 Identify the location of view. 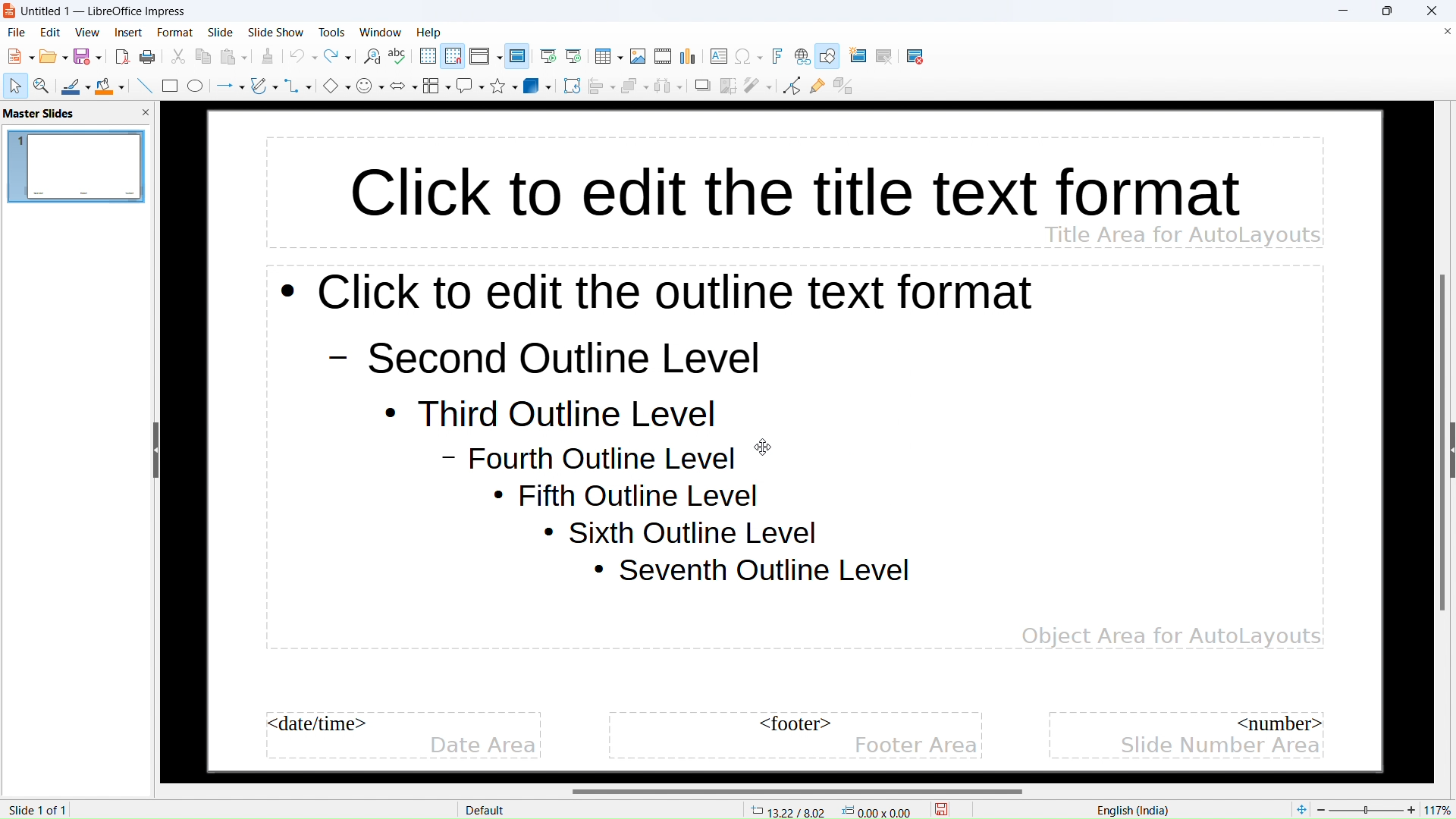
(87, 33).